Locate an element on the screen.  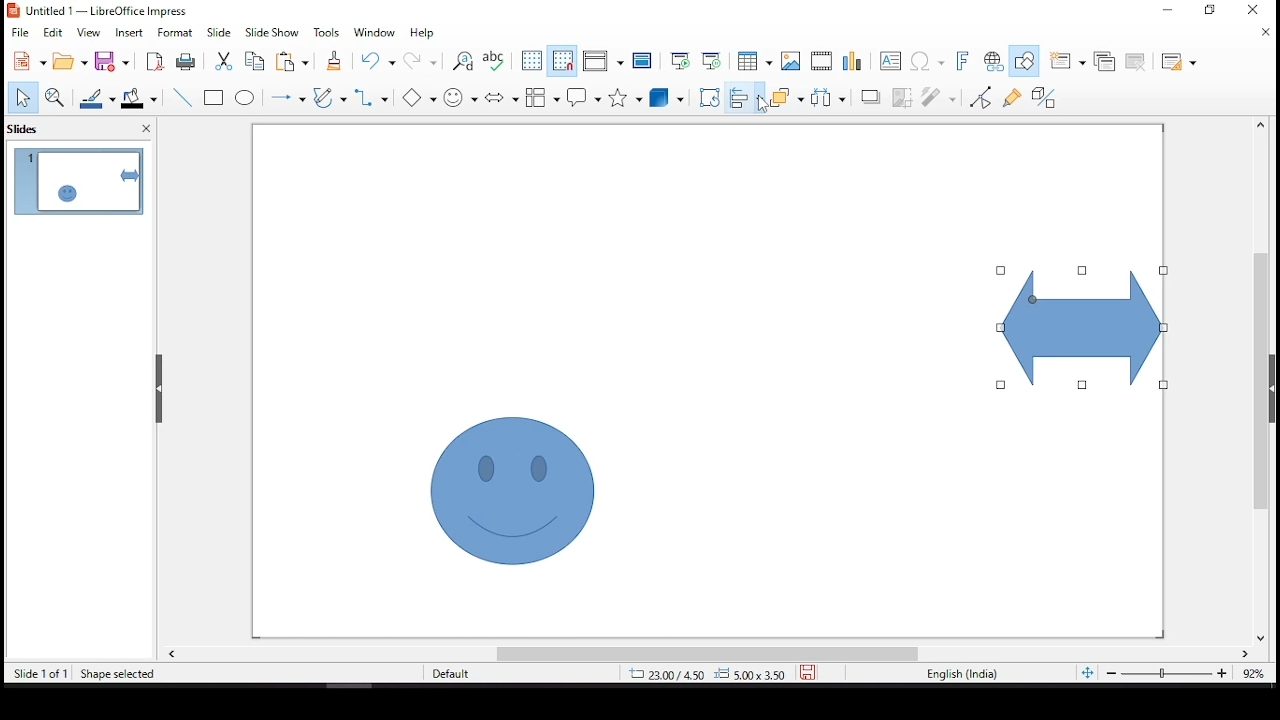
slide show is located at coordinates (270, 31).